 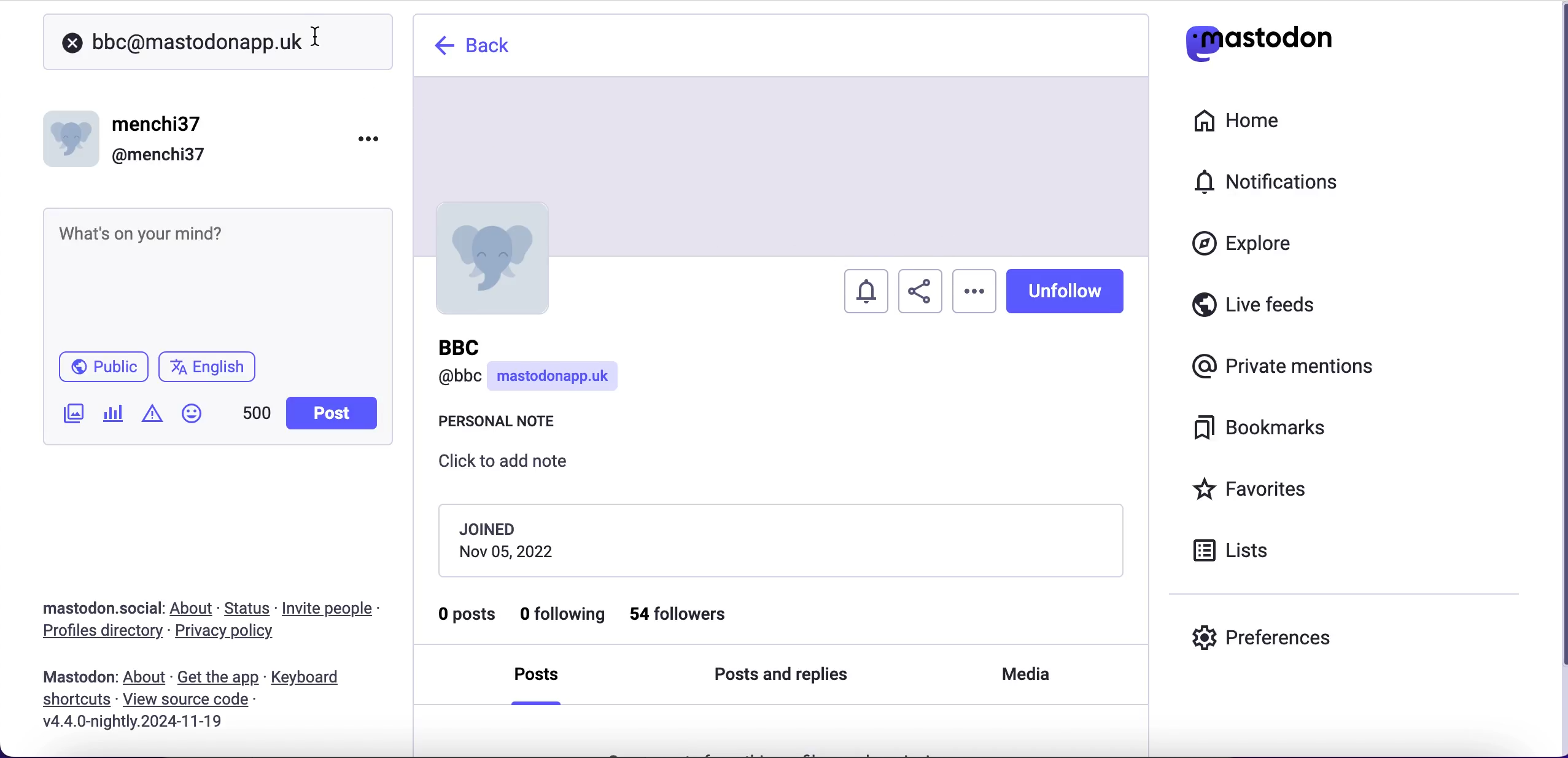 I want to click on click to add note, so click(x=513, y=466).